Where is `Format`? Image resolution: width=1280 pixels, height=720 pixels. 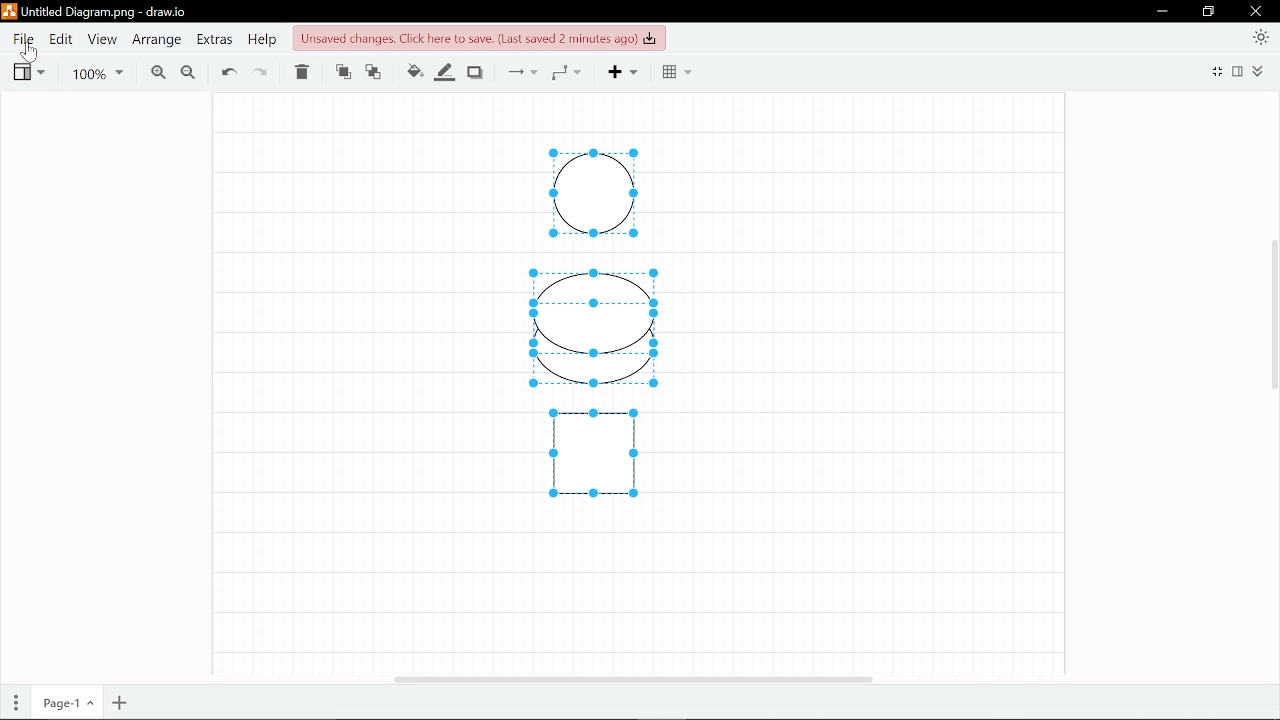
Format is located at coordinates (1237, 72).